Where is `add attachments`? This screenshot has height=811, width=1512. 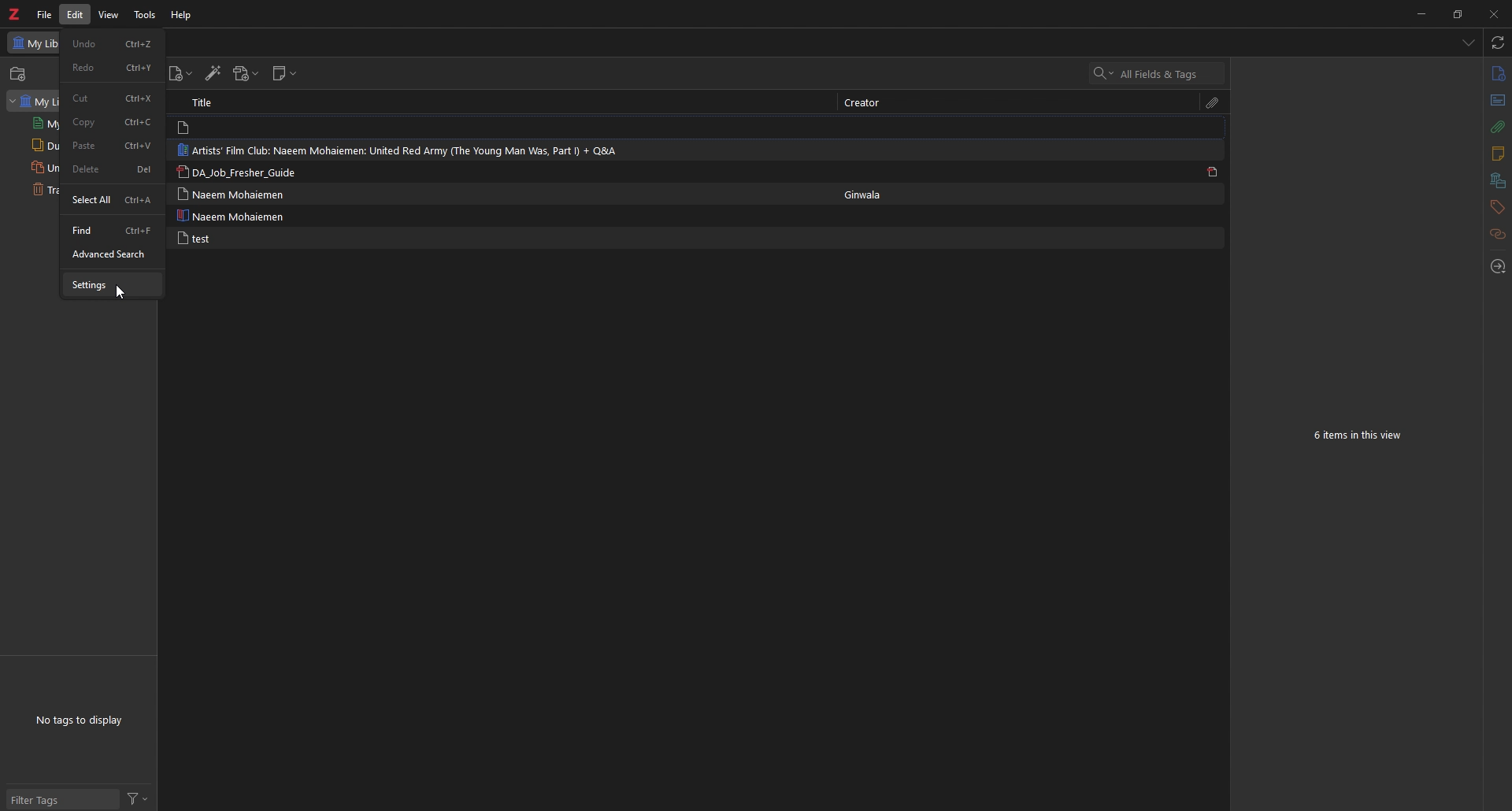 add attachments is located at coordinates (245, 73).